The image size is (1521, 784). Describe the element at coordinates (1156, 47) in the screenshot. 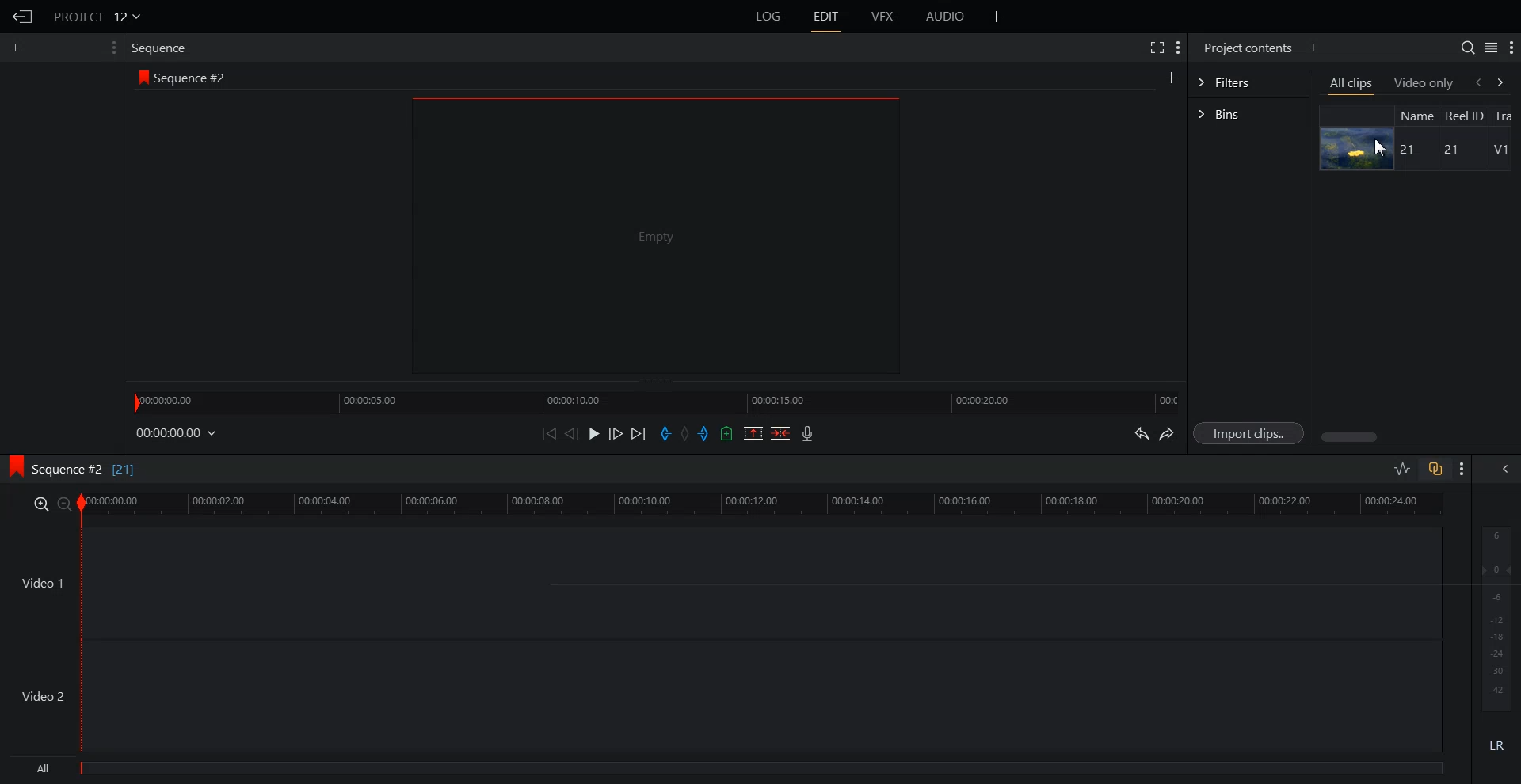

I see `Full screen` at that location.